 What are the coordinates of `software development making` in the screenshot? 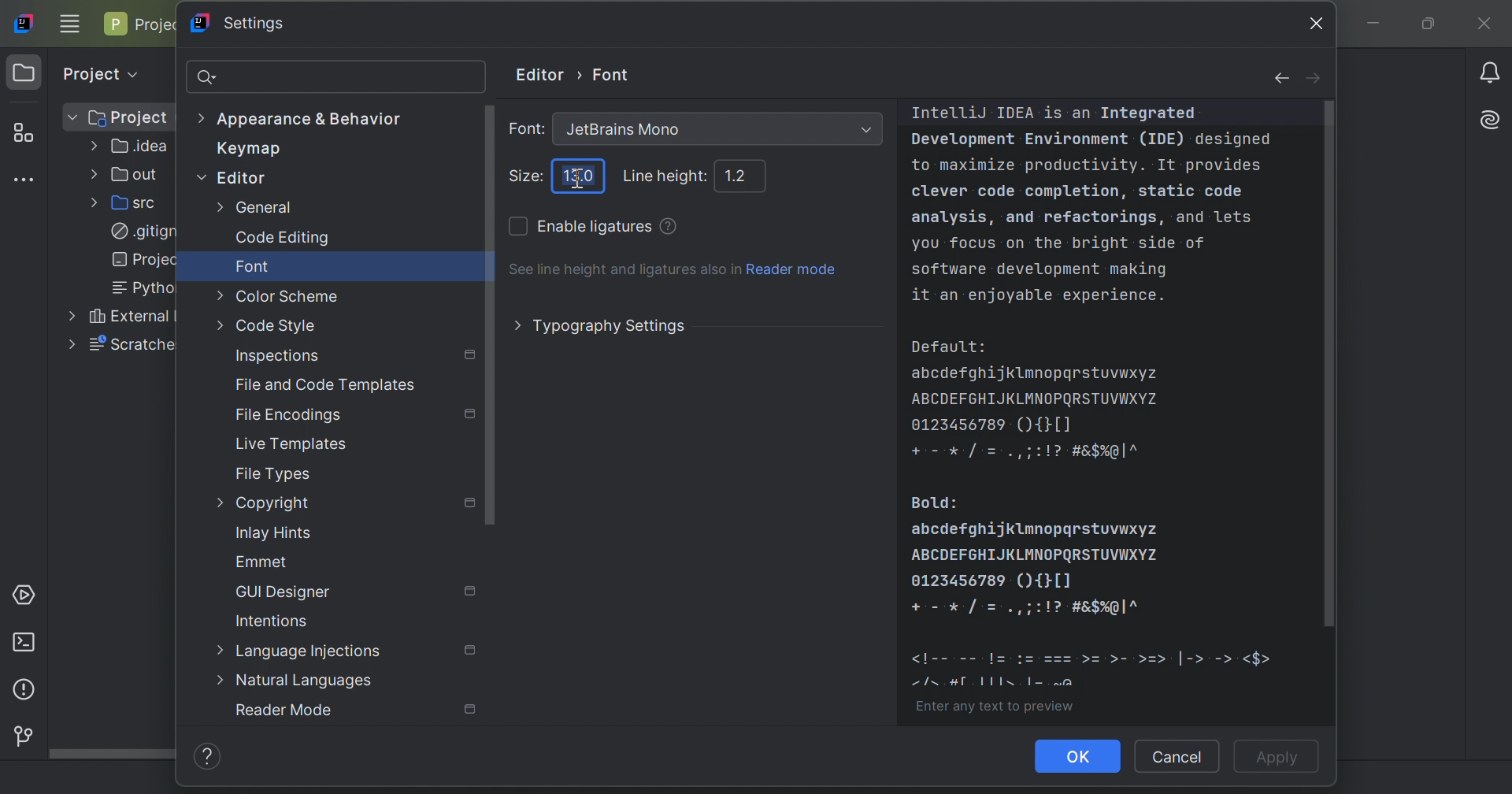 It's located at (1040, 269).